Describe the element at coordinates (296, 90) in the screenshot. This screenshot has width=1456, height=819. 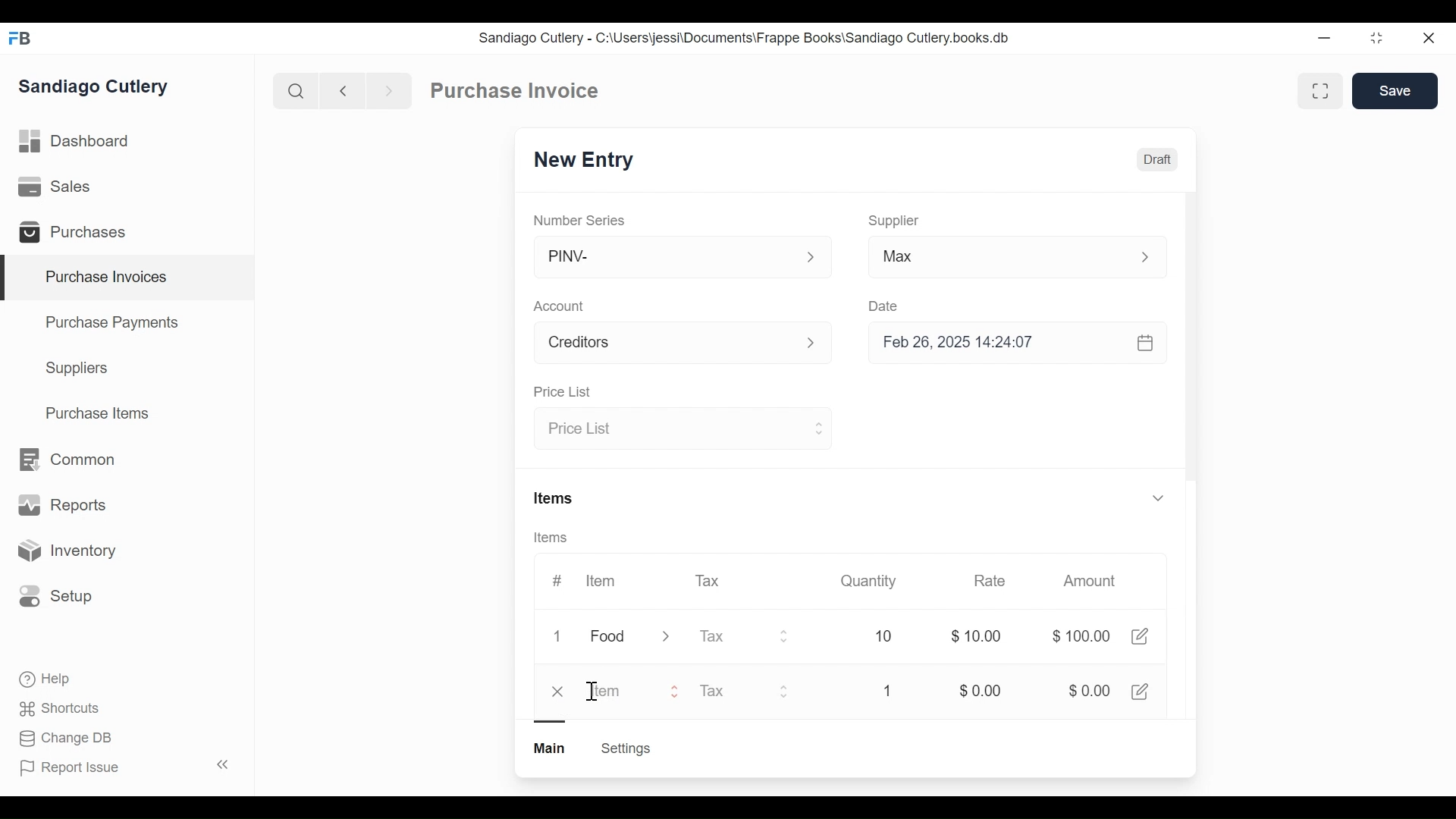
I see `Search` at that location.